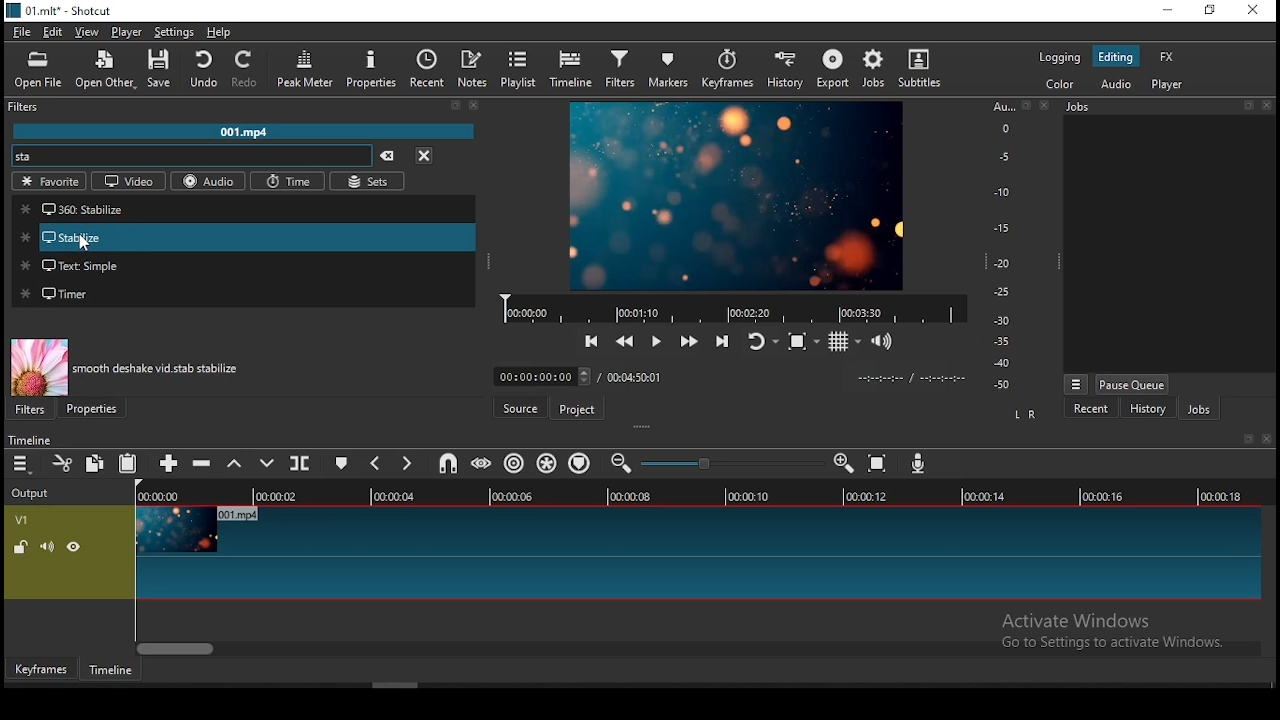 This screenshot has width=1280, height=720. What do you see at coordinates (406, 463) in the screenshot?
I see `next marker` at bounding box center [406, 463].